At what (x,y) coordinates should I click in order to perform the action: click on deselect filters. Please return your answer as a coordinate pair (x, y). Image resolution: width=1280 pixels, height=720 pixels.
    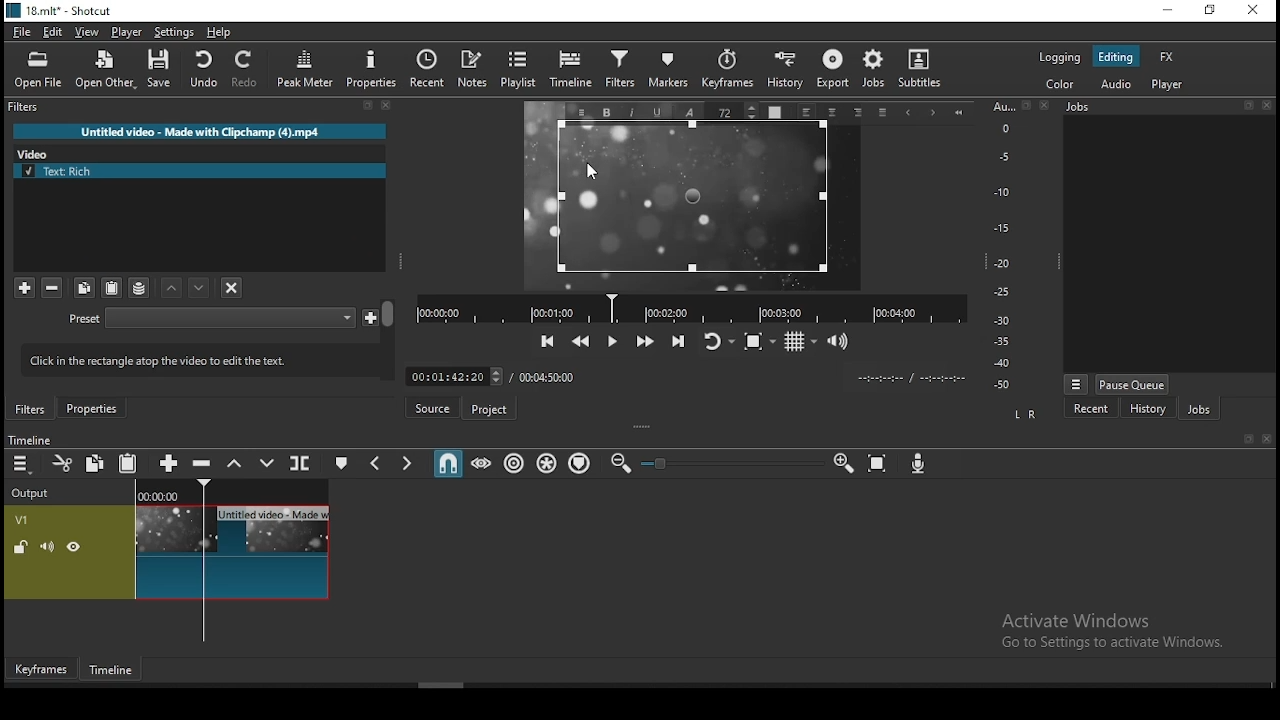
    Looking at the image, I should click on (230, 286).